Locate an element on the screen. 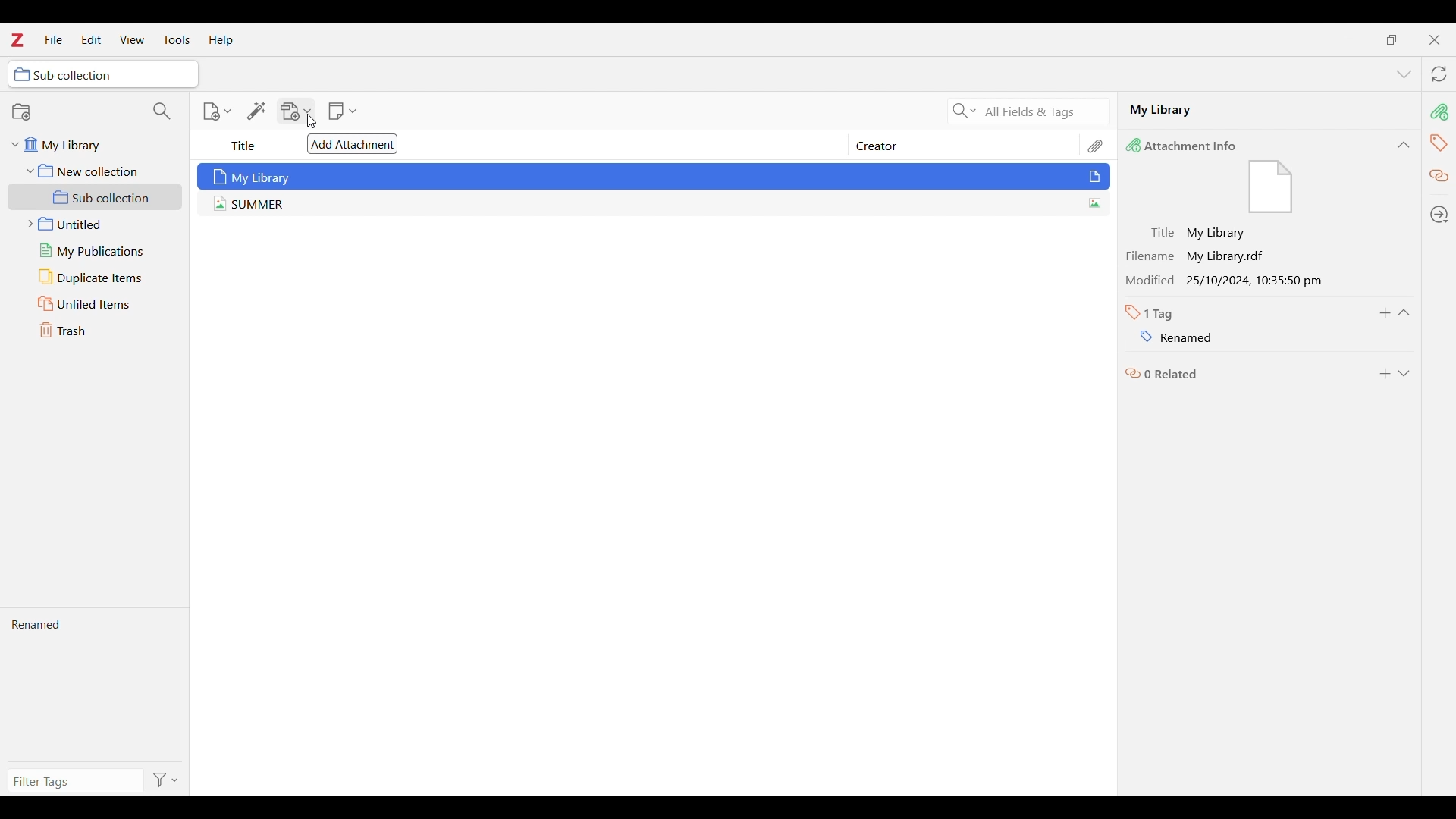 The width and height of the screenshot is (1456, 819). My library folder is located at coordinates (92, 148).